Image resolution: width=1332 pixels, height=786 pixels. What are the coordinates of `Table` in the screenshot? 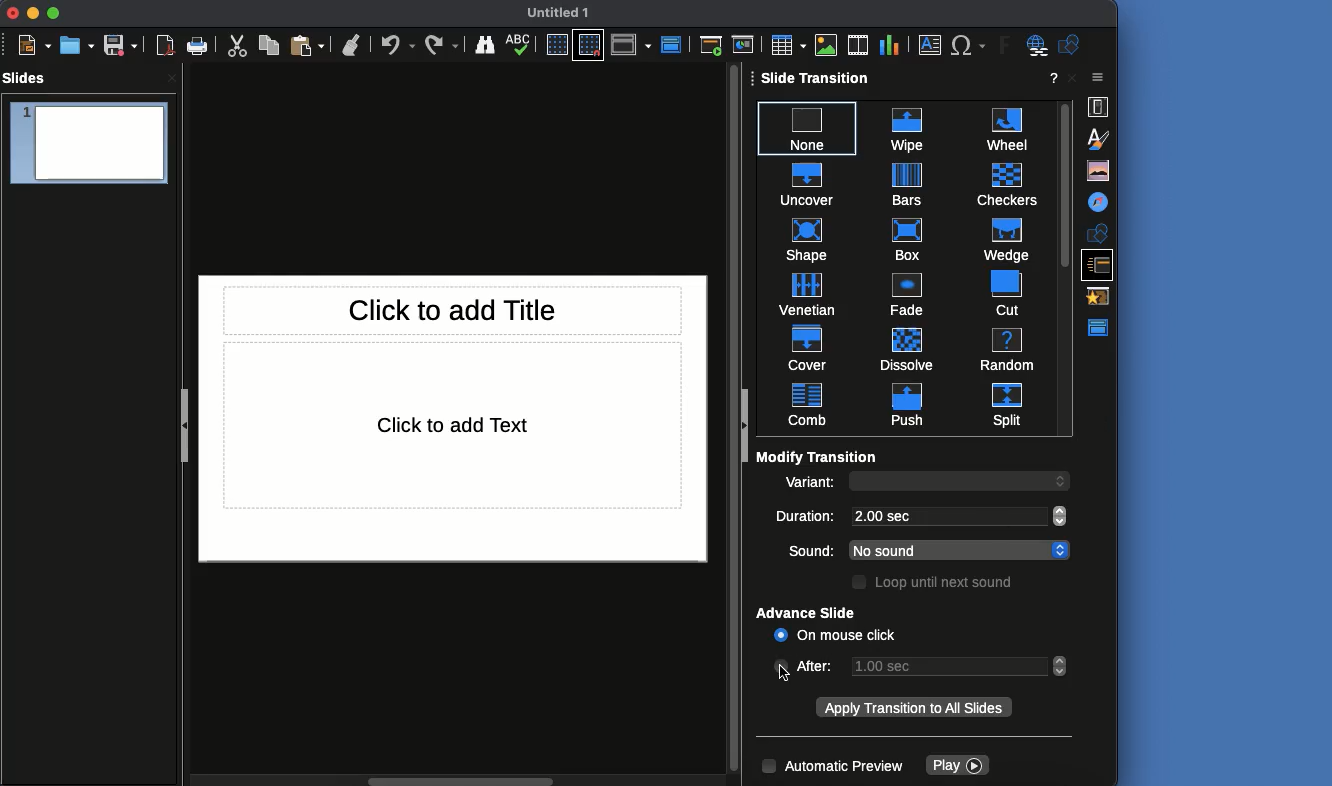 It's located at (787, 44).